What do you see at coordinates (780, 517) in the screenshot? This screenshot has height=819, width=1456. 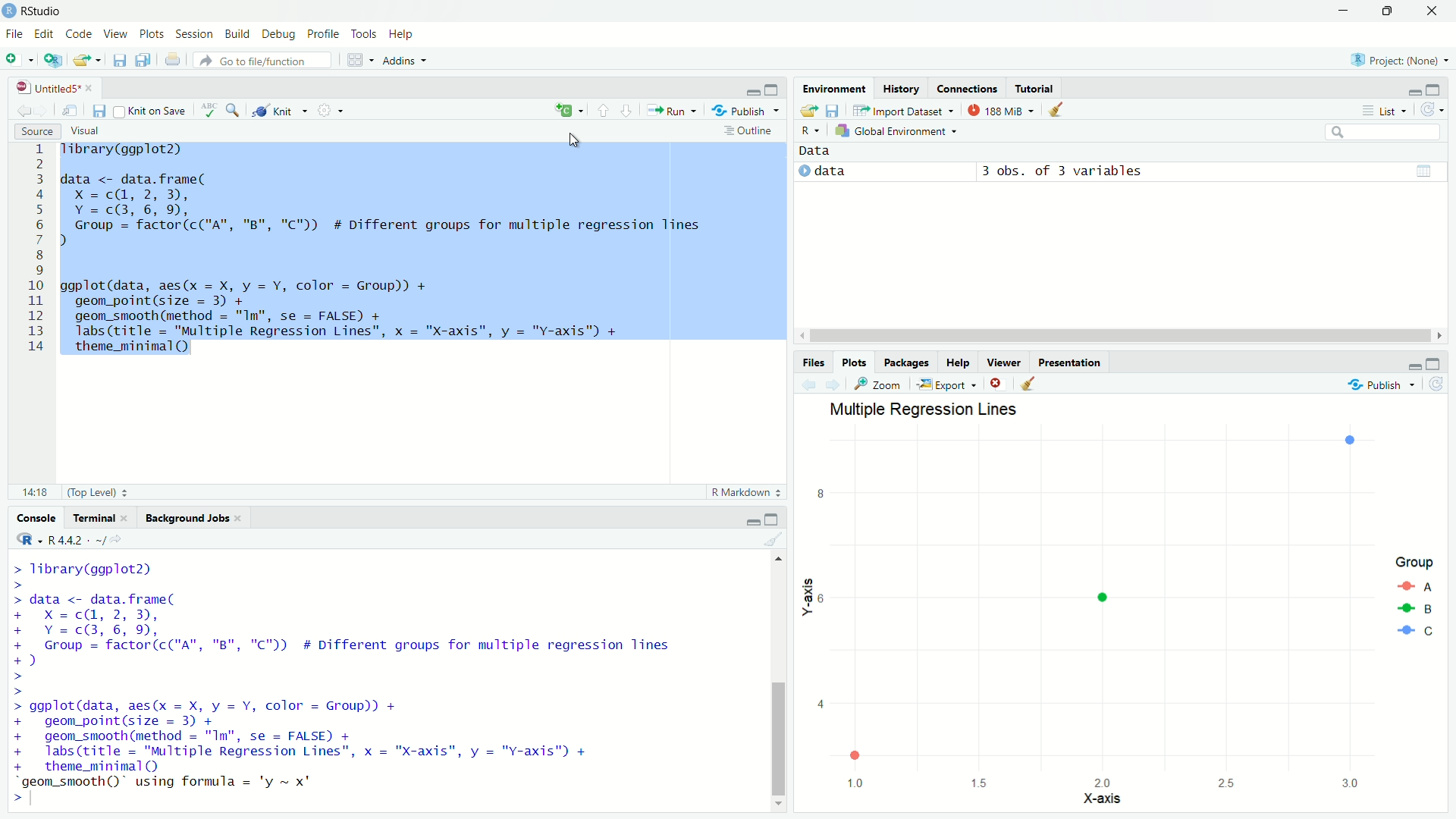 I see `maximise` at bounding box center [780, 517].